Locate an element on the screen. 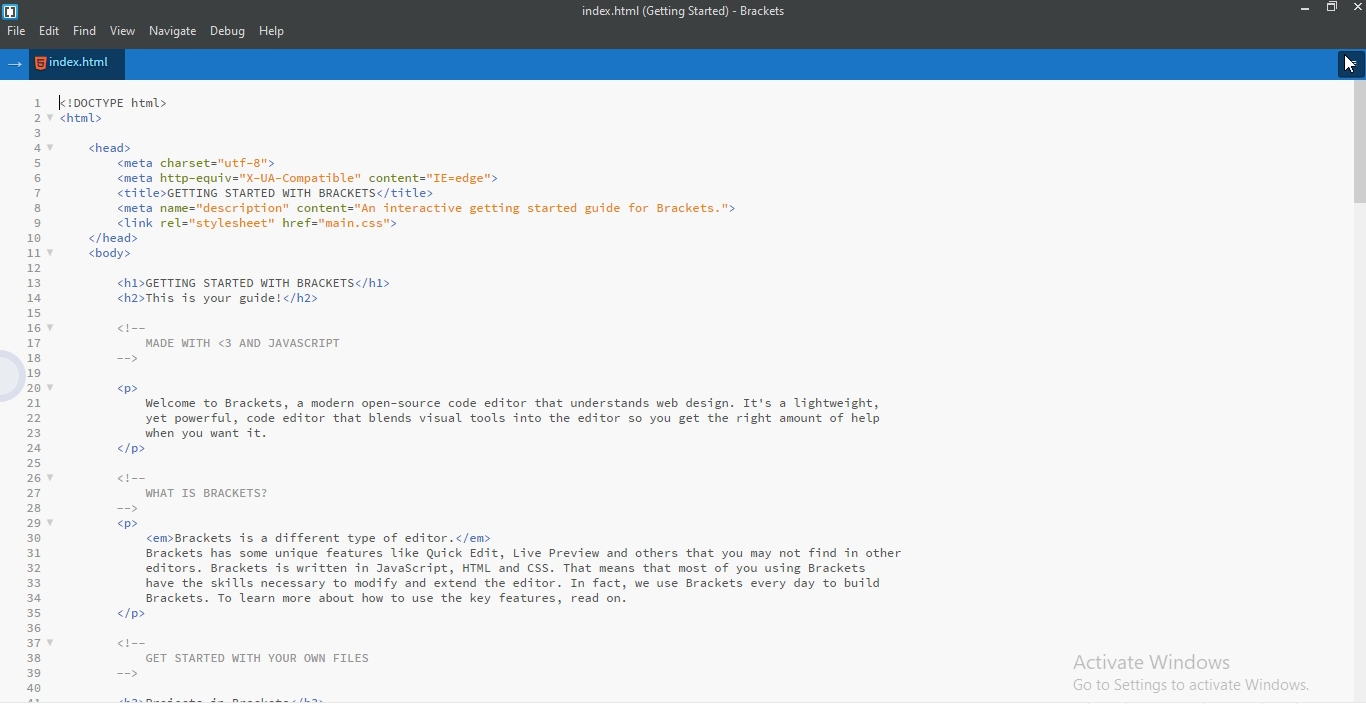  find is located at coordinates (83, 31).